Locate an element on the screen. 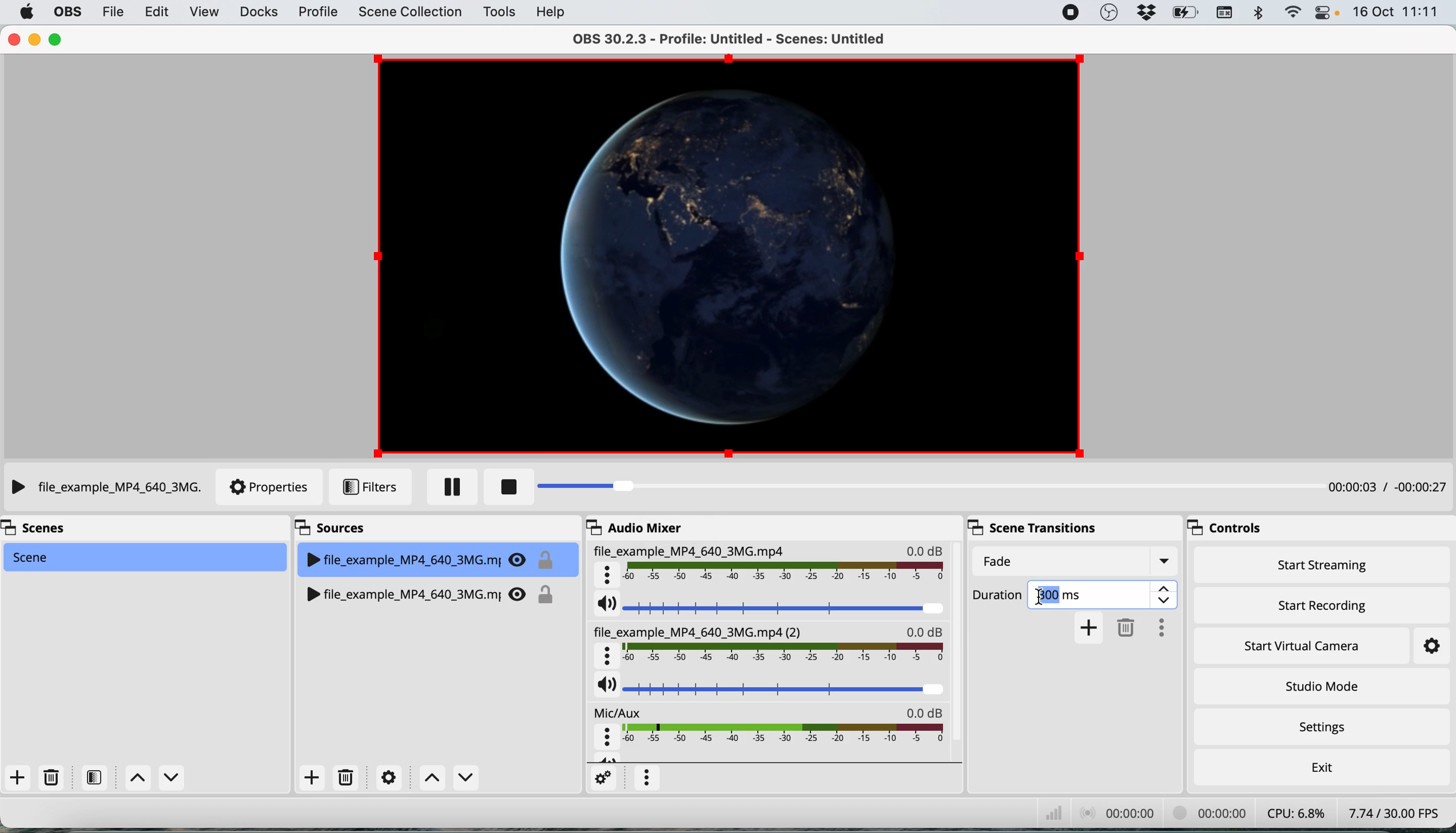  profile is located at coordinates (317, 14).